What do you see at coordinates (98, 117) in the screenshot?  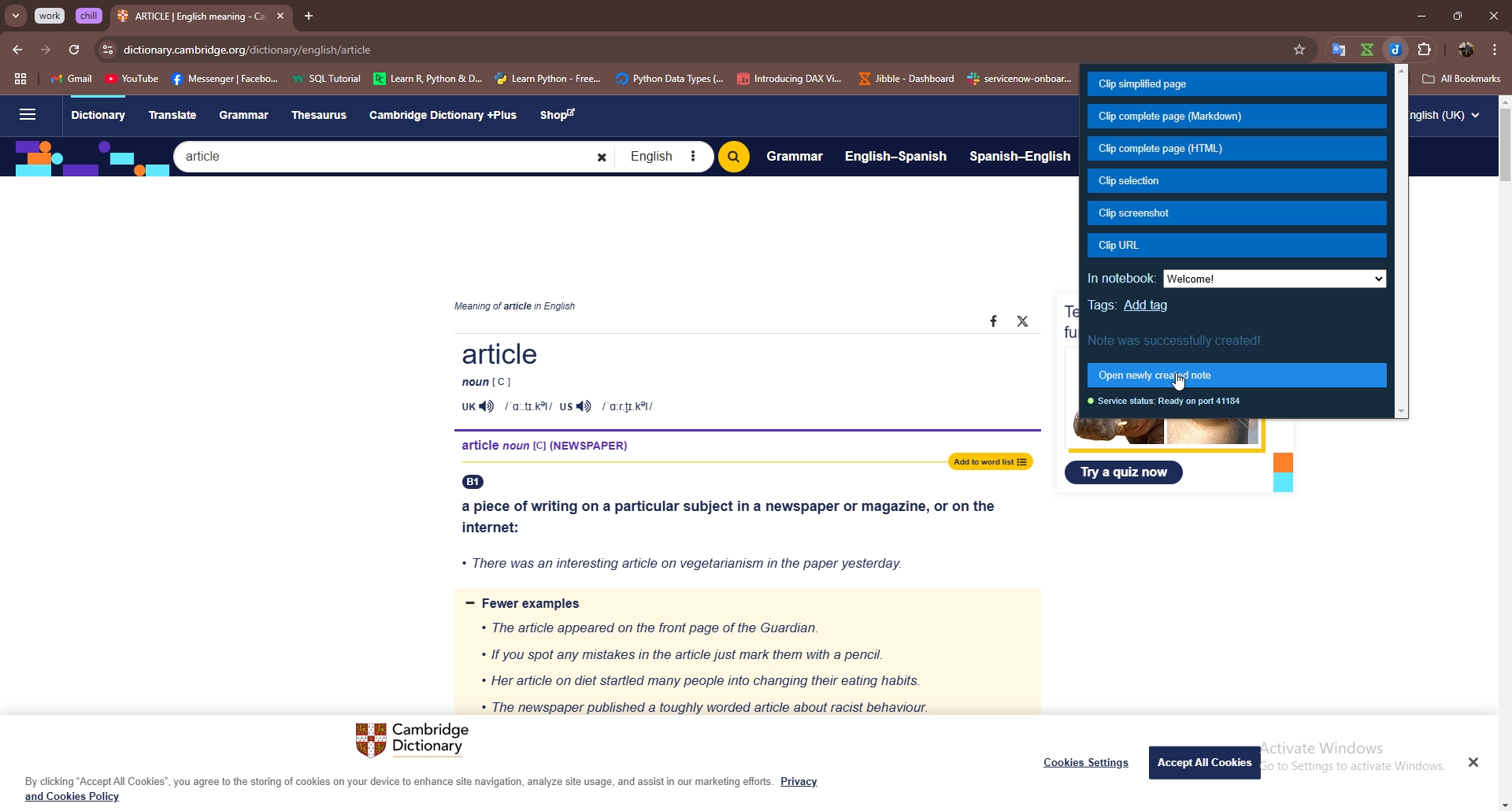 I see `Dictionary` at bounding box center [98, 117].